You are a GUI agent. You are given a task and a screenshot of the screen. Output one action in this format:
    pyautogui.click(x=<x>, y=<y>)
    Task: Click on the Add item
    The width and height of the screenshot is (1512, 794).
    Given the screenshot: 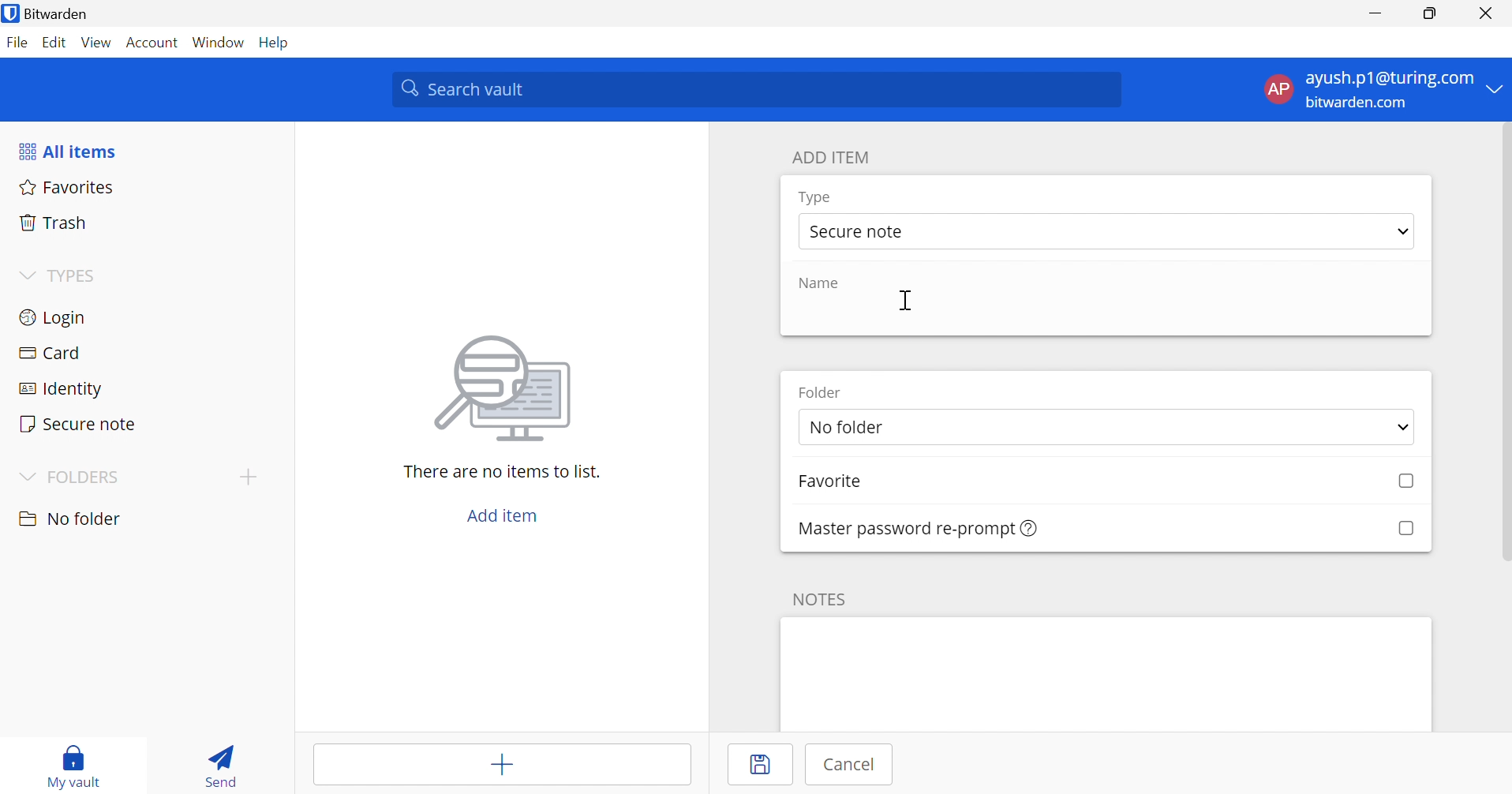 What is the action you would take?
    pyautogui.click(x=500, y=767)
    